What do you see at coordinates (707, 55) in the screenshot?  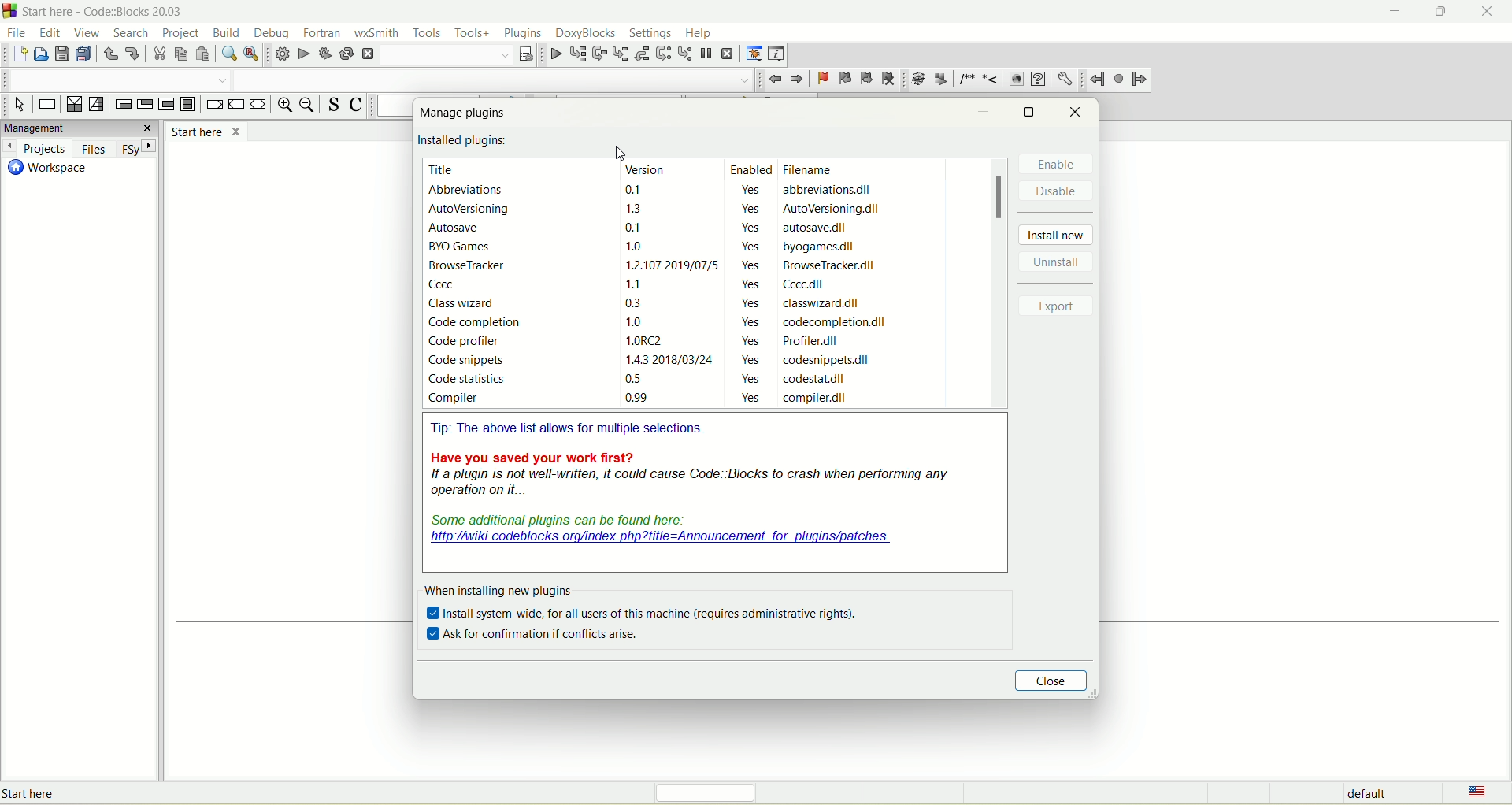 I see `break debugger` at bounding box center [707, 55].